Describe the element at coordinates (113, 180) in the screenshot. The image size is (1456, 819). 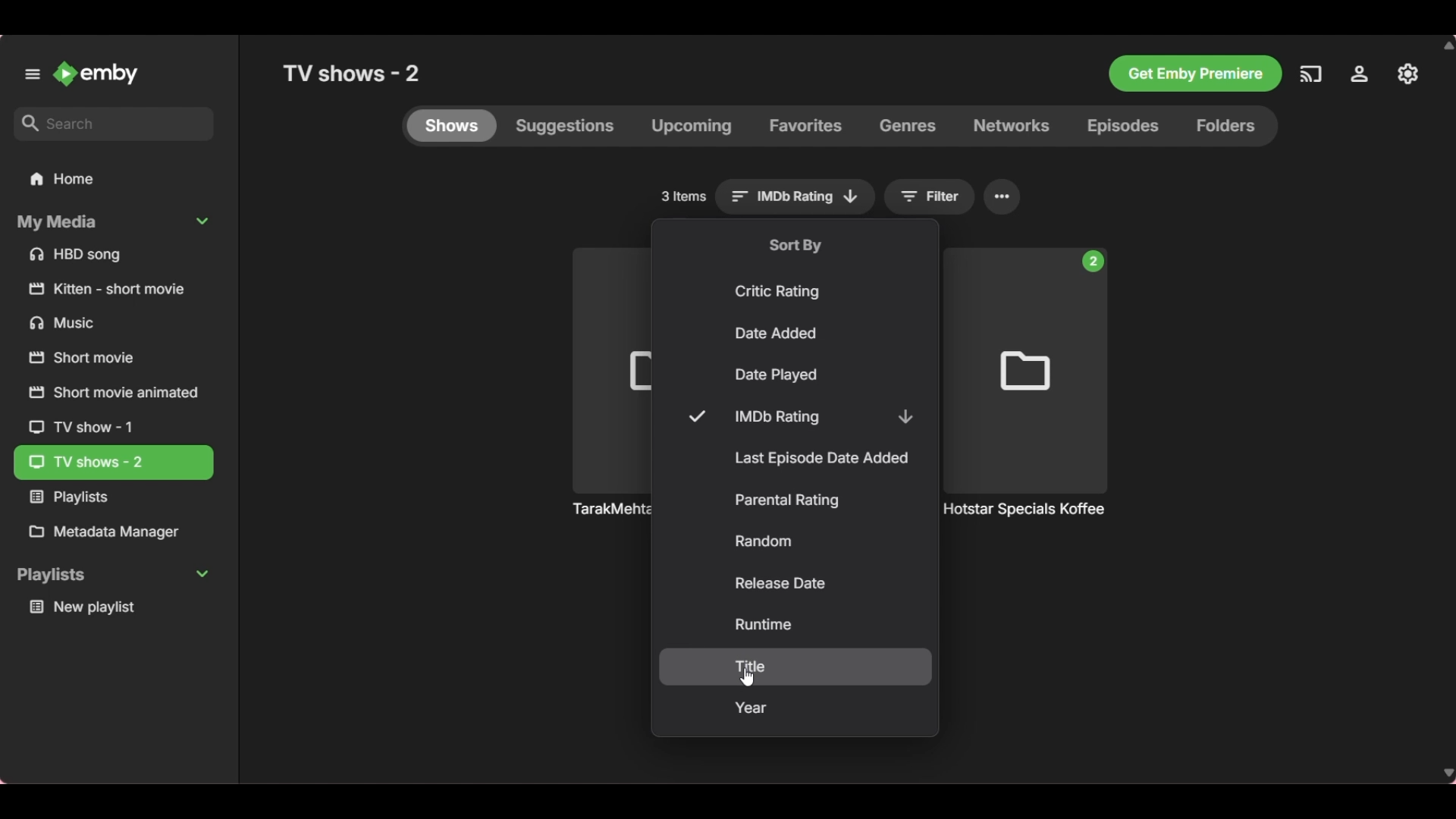
I see `Home folder, current selection highlighted` at that location.